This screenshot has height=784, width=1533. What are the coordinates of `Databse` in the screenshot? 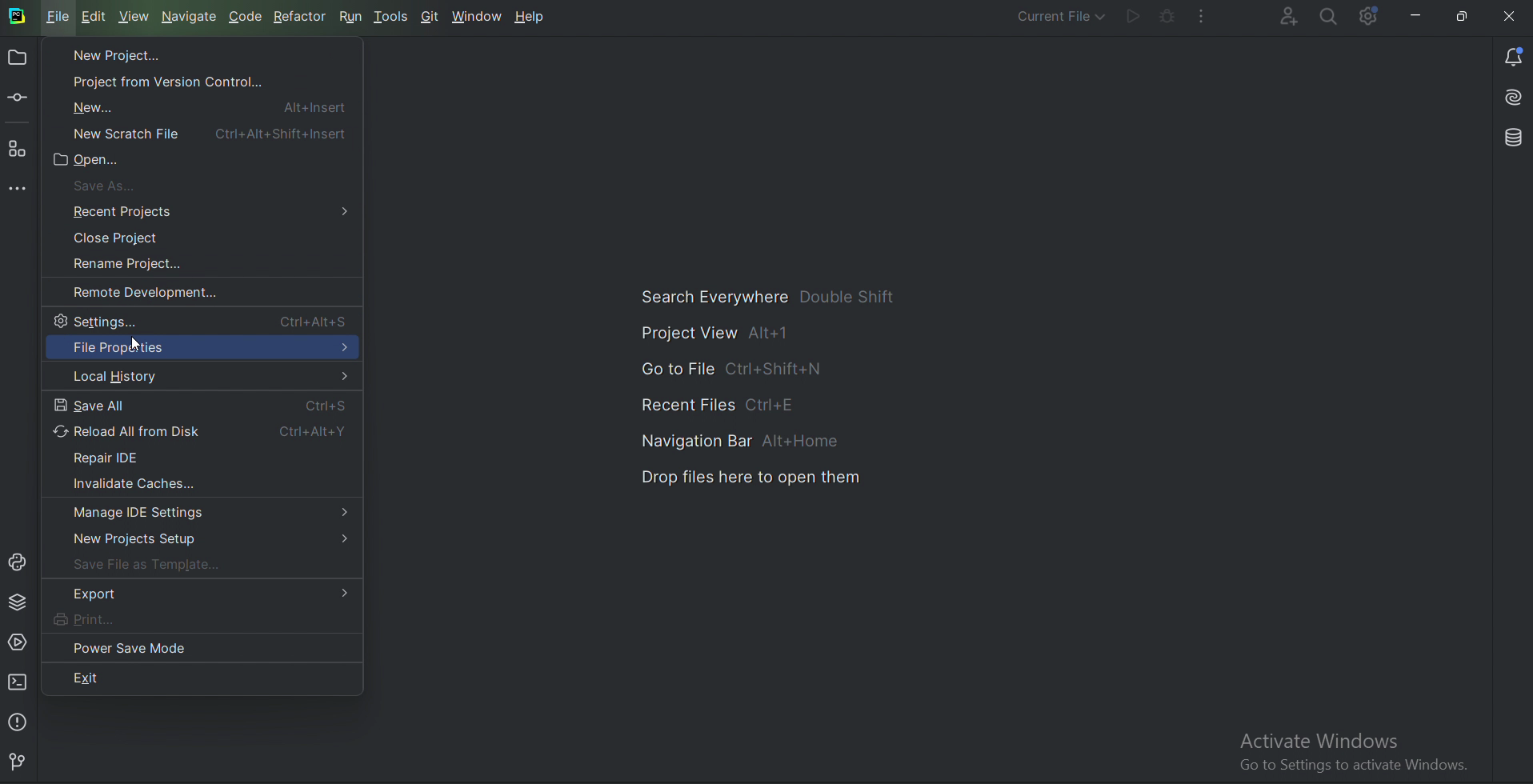 It's located at (1517, 136).